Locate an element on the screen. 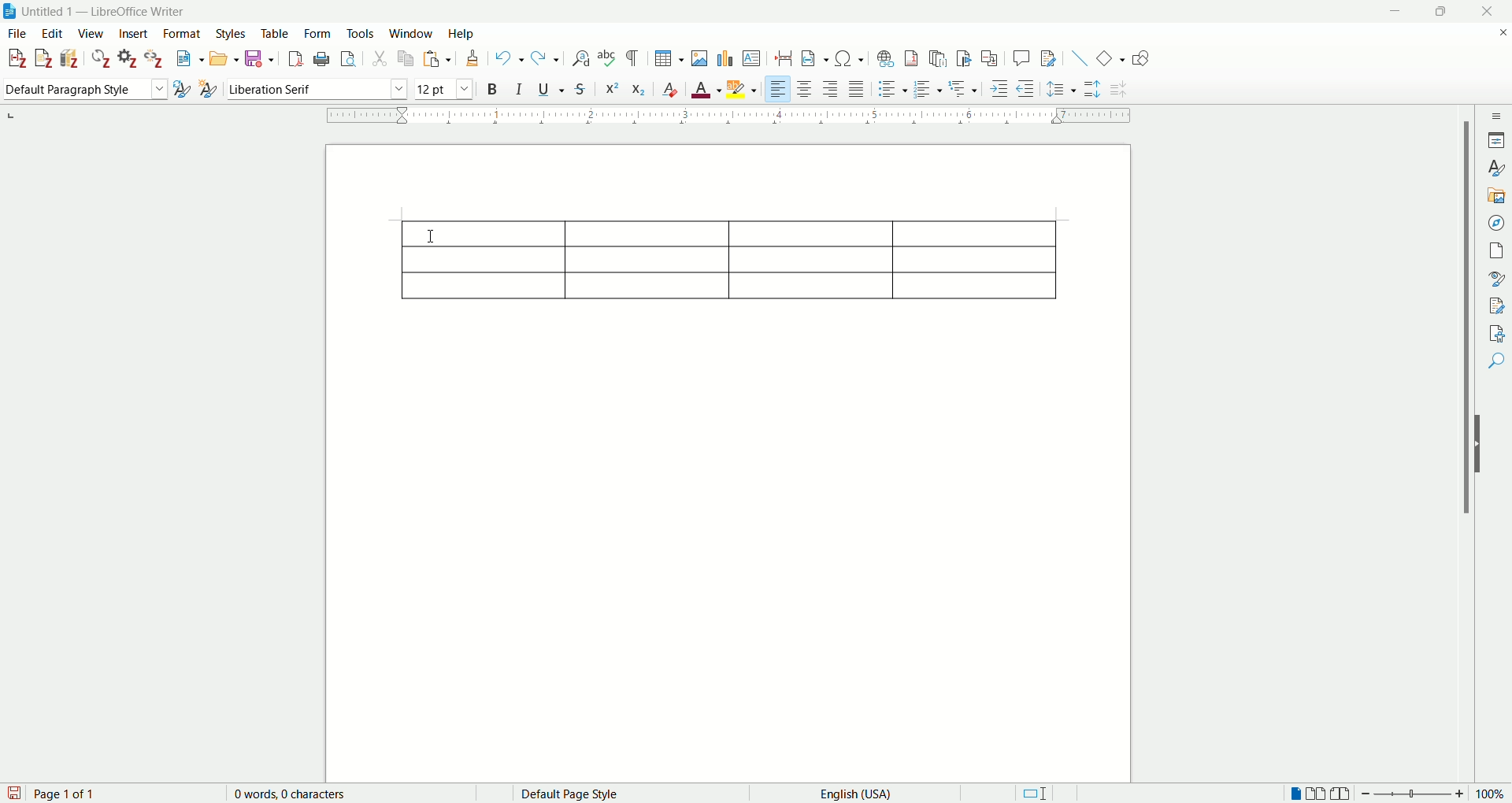 The height and width of the screenshot is (803, 1512). insert text box is located at coordinates (753, 58).